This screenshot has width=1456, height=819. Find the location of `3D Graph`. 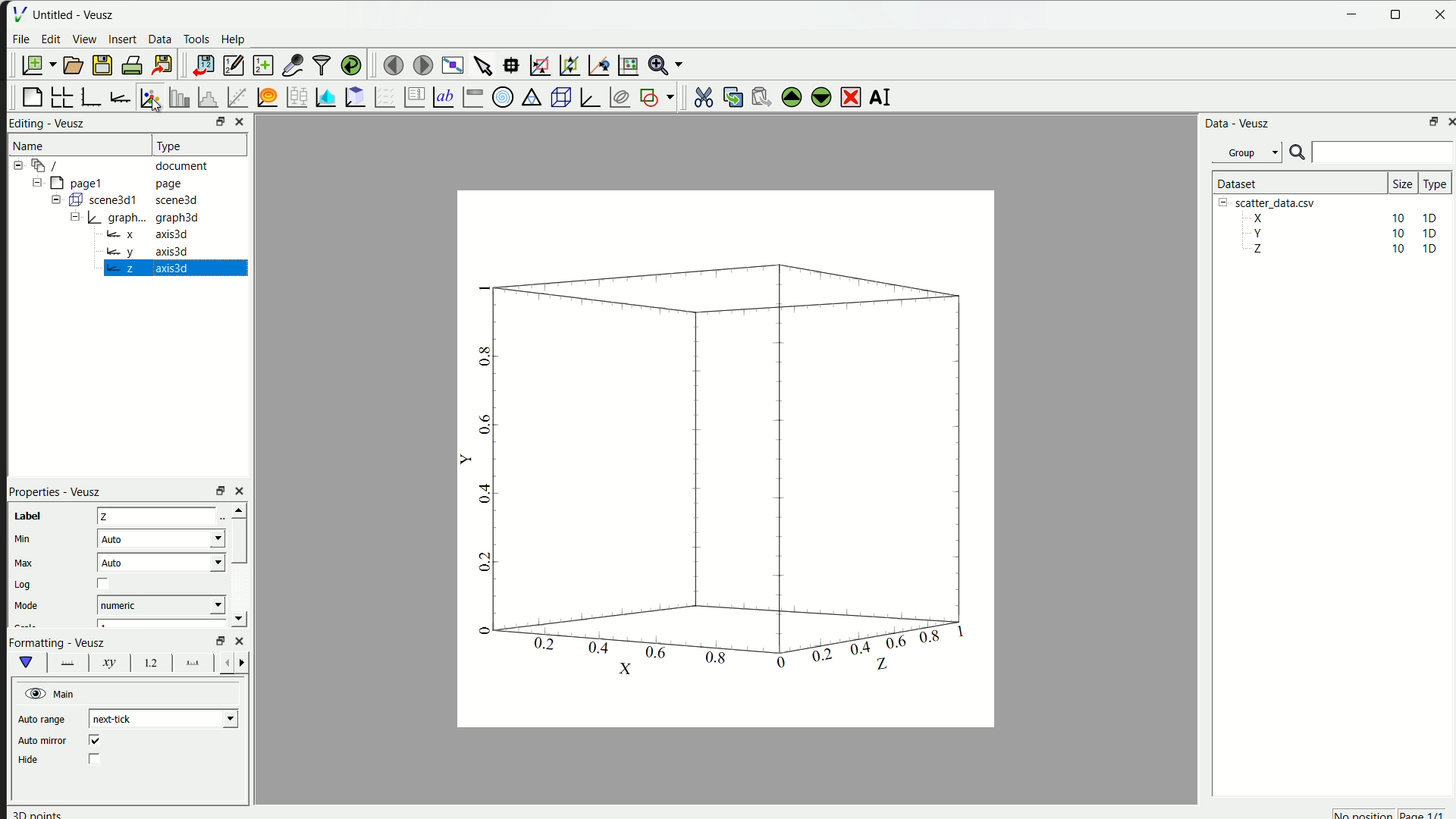

3D Graph is located at coordinates (587, 96).